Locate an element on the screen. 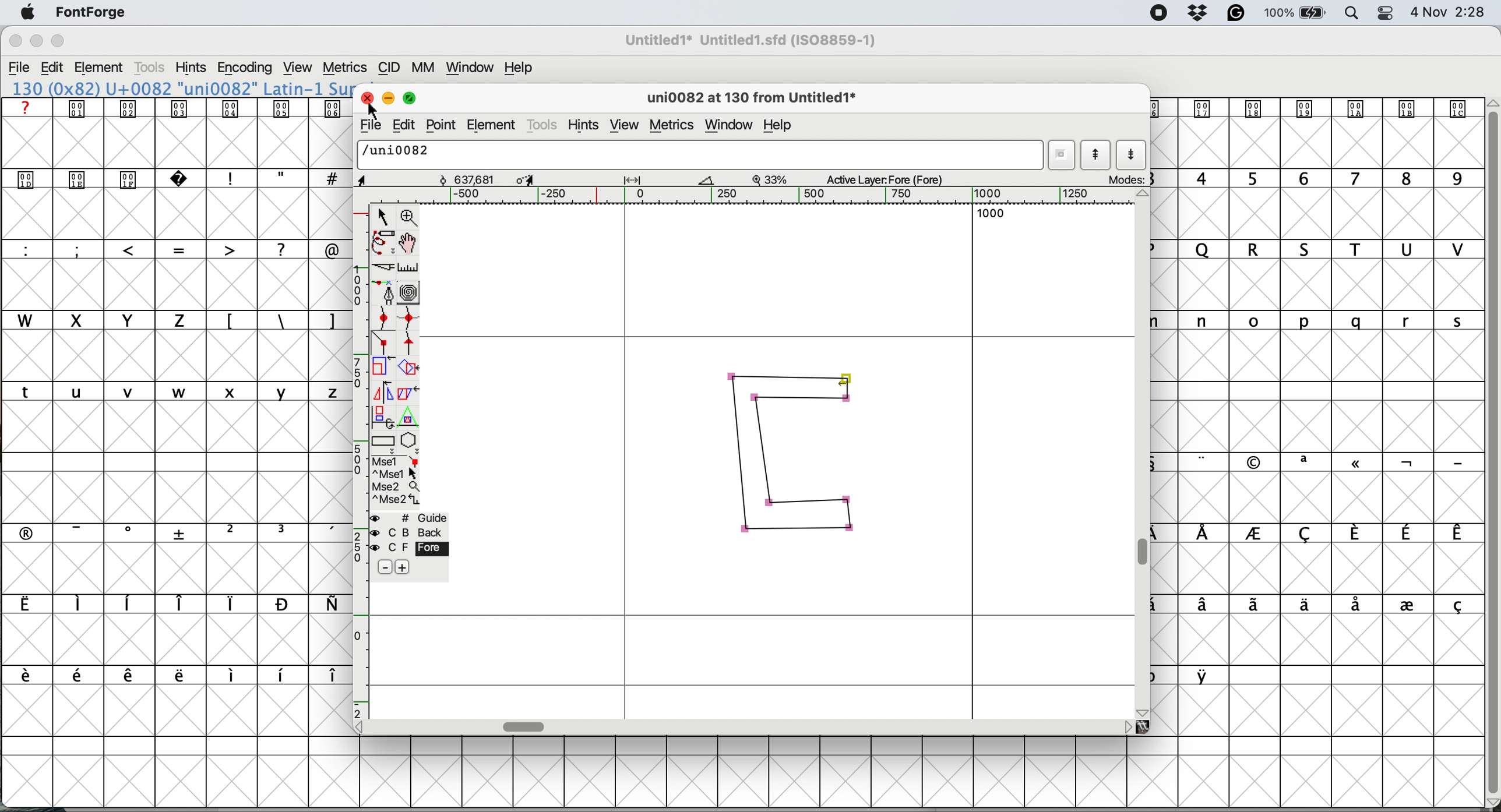  scroll button is located at coordinates (364, 726).